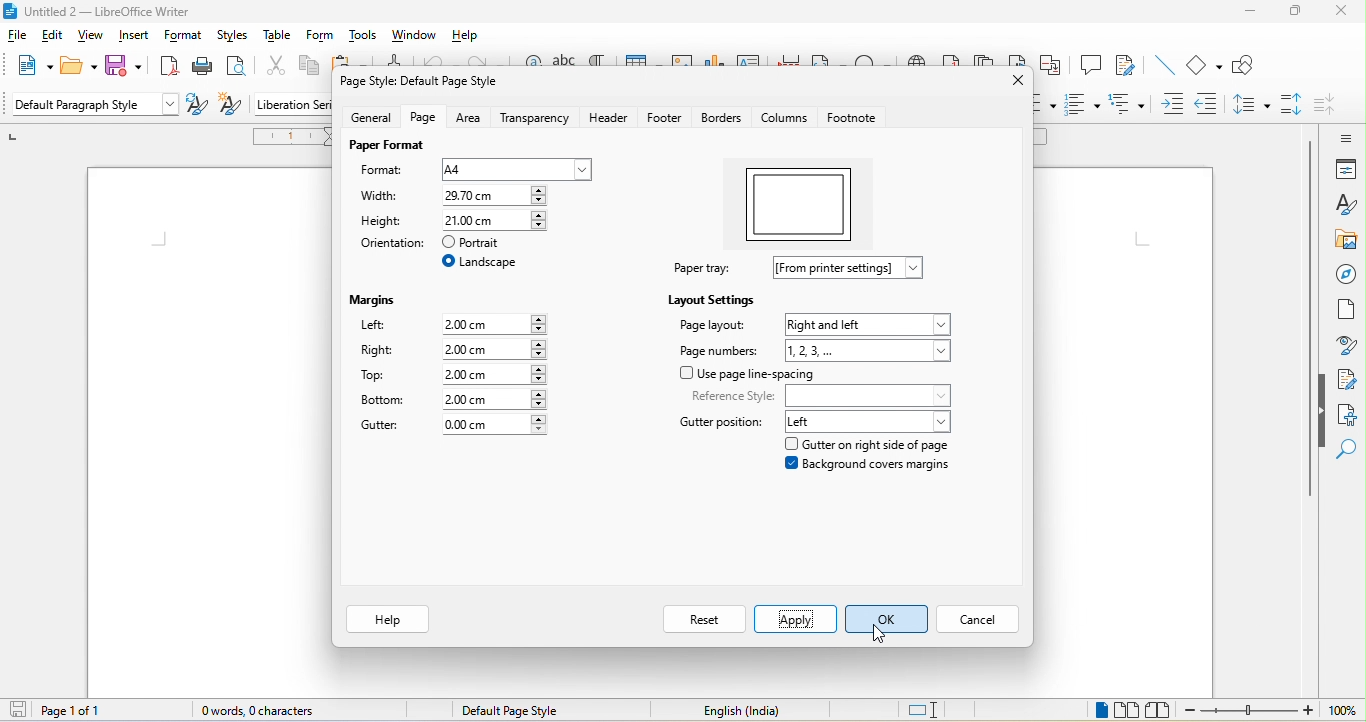 This screenshot has height=722, width=1366. Describe the element at coordinates (382, 424) in the screenshot. I see `gutter` at that location.